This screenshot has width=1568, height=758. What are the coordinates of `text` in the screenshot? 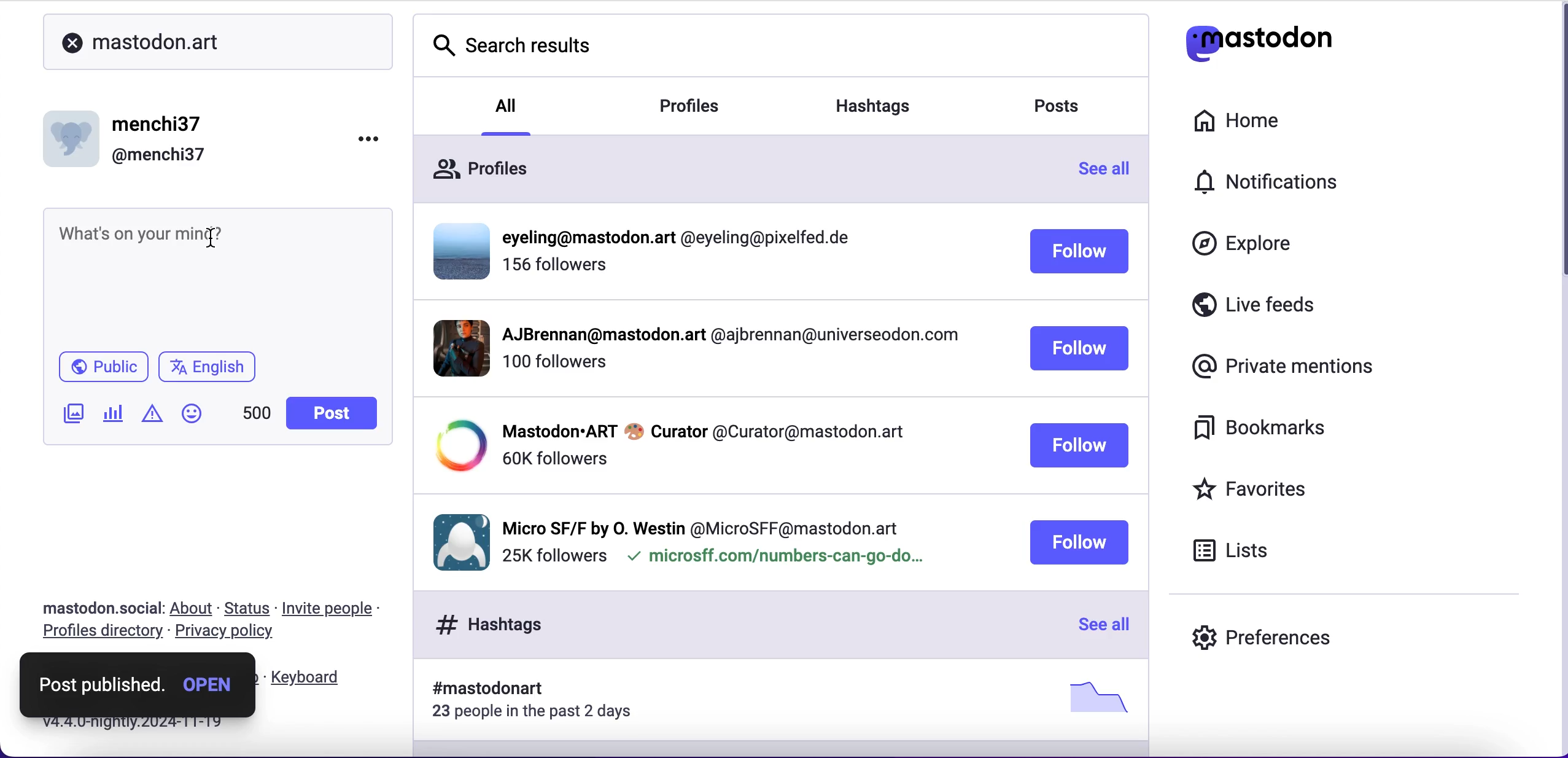 It's located at (153, 230).